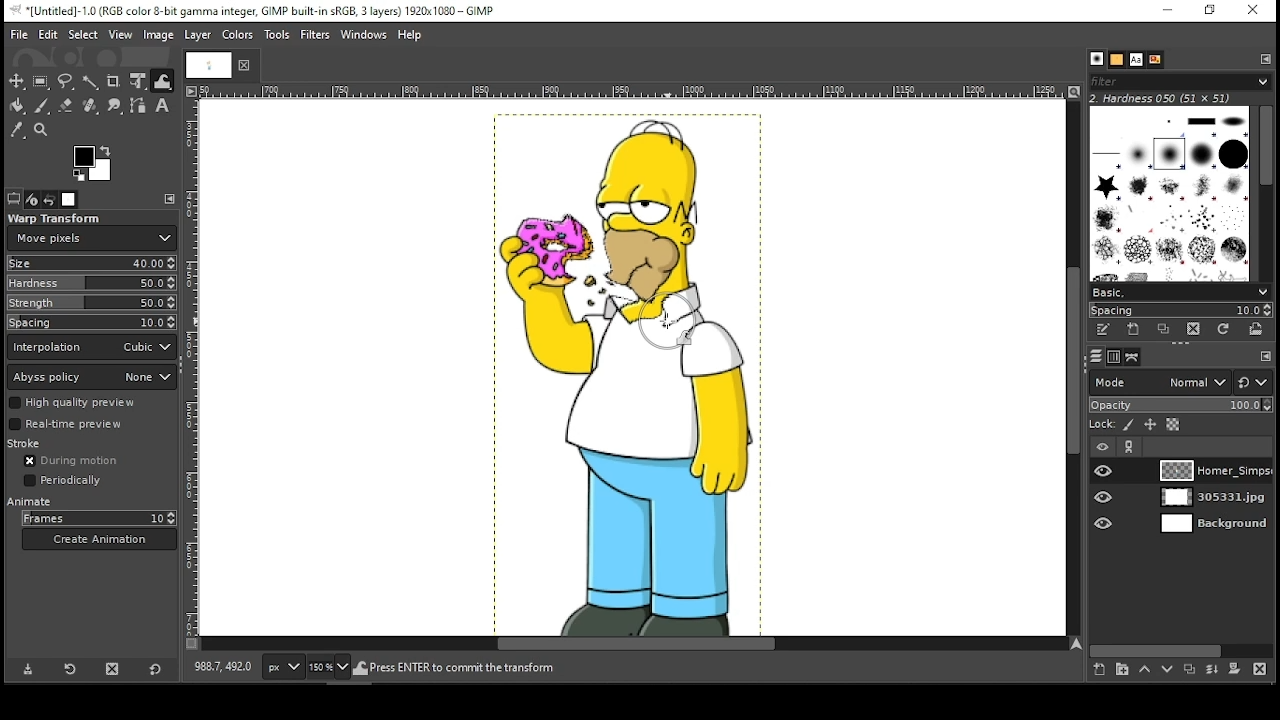 Image resolution: width=1280 pixels, height=720 pixels. Describe the element at coordinates (197, 35) in the screenshot. I see `layer` at that location.